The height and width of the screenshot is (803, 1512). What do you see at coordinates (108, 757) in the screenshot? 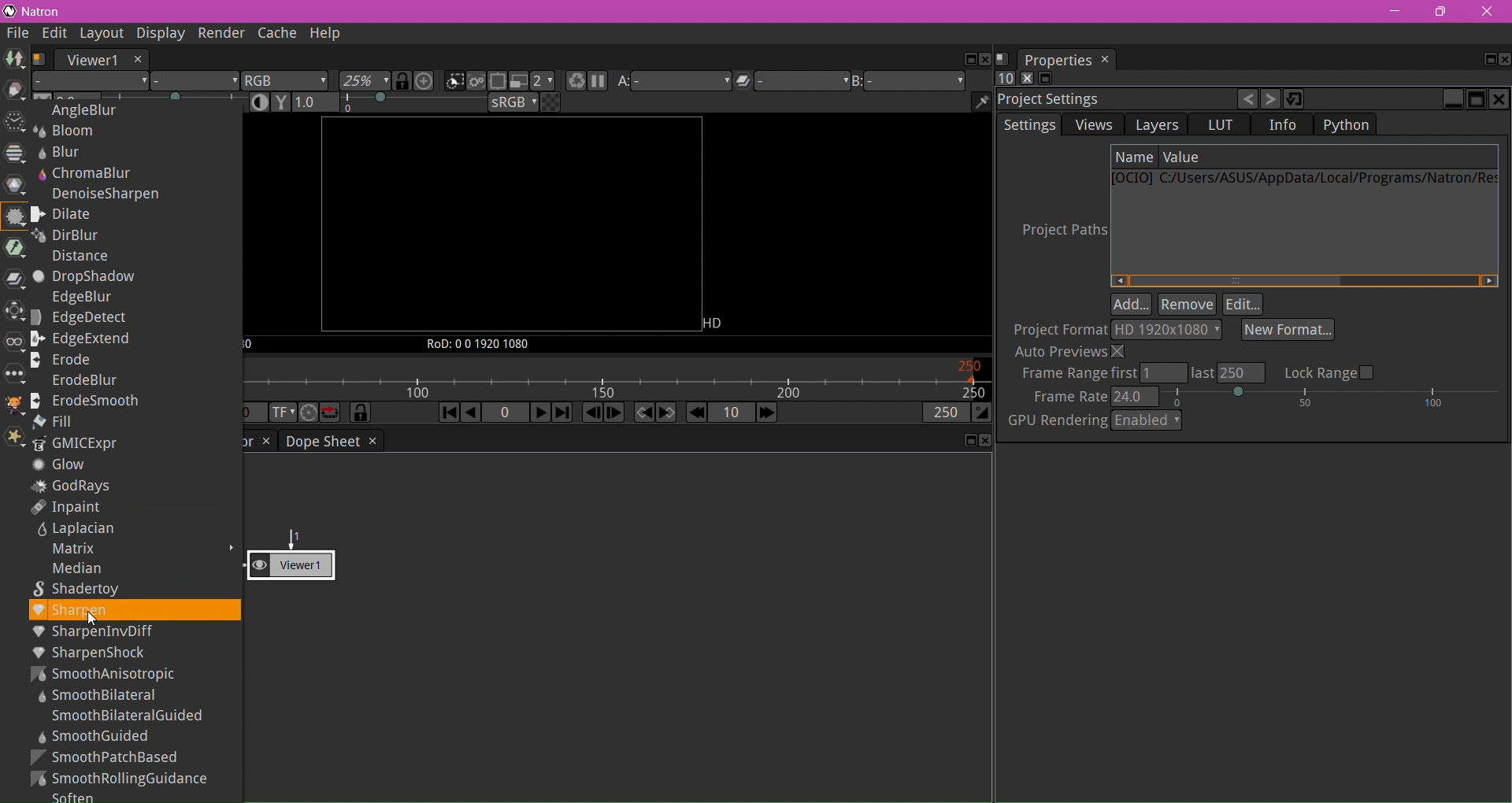
I see `SmoothPatchBased` at bounding box center [108, 757].